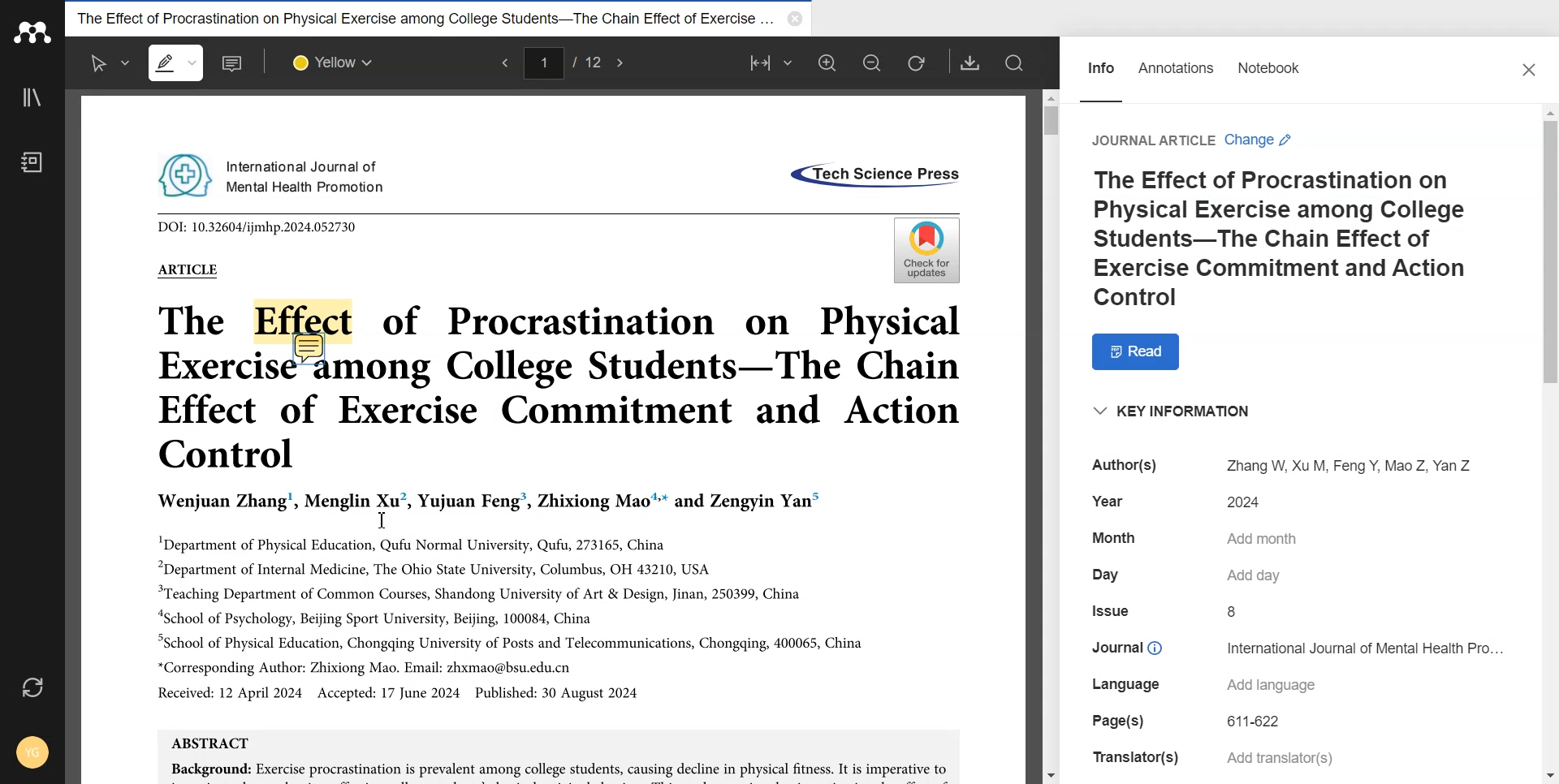 The image size is (1559, 784). What do you see at coordinates (871, 62) in the screenshot?
I see `Zoom out` at bounding box center [871, 62].